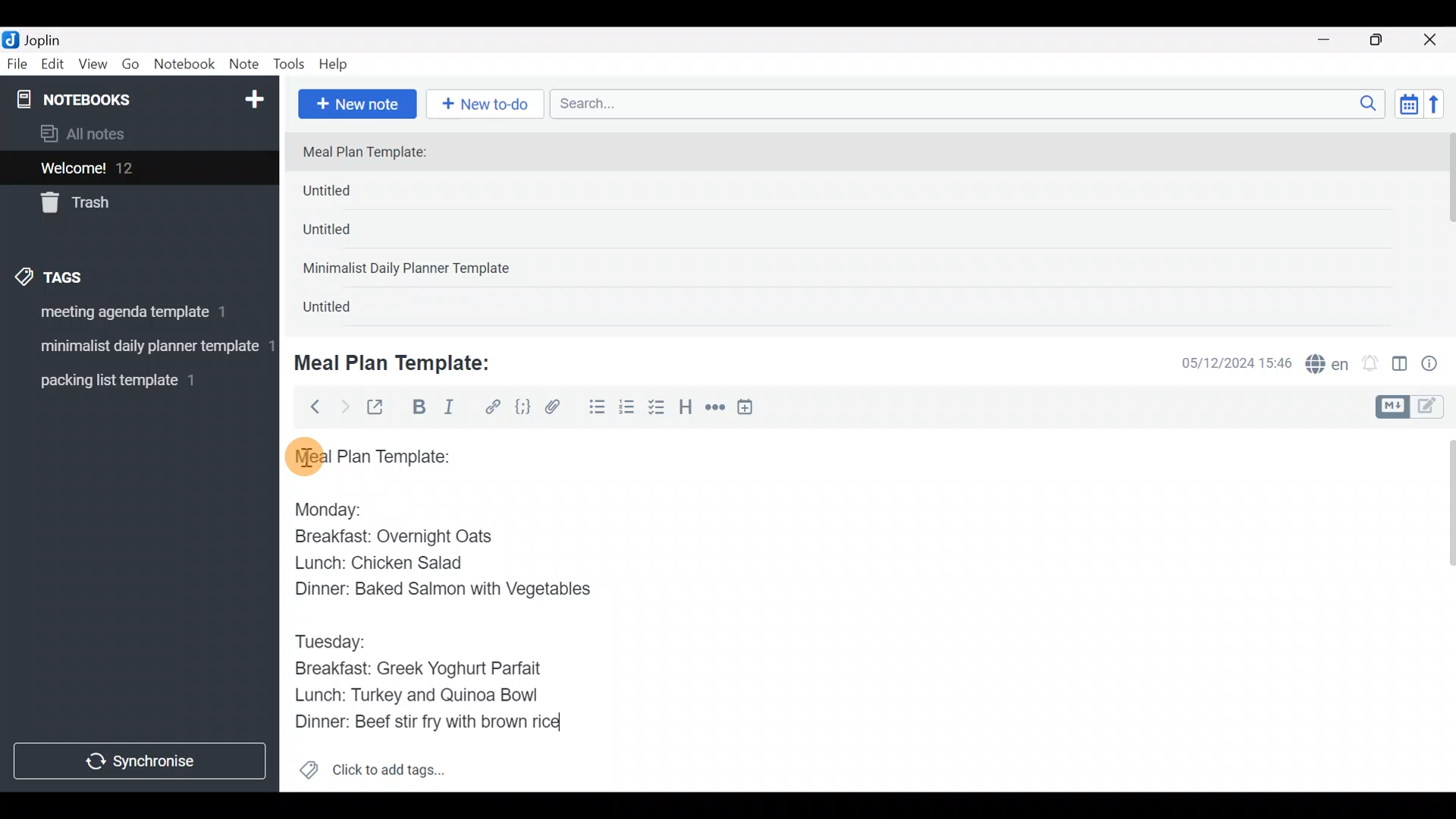  Describe the element at coordinates (318, 507) in the screenshot. I see `Monday:` at that location.